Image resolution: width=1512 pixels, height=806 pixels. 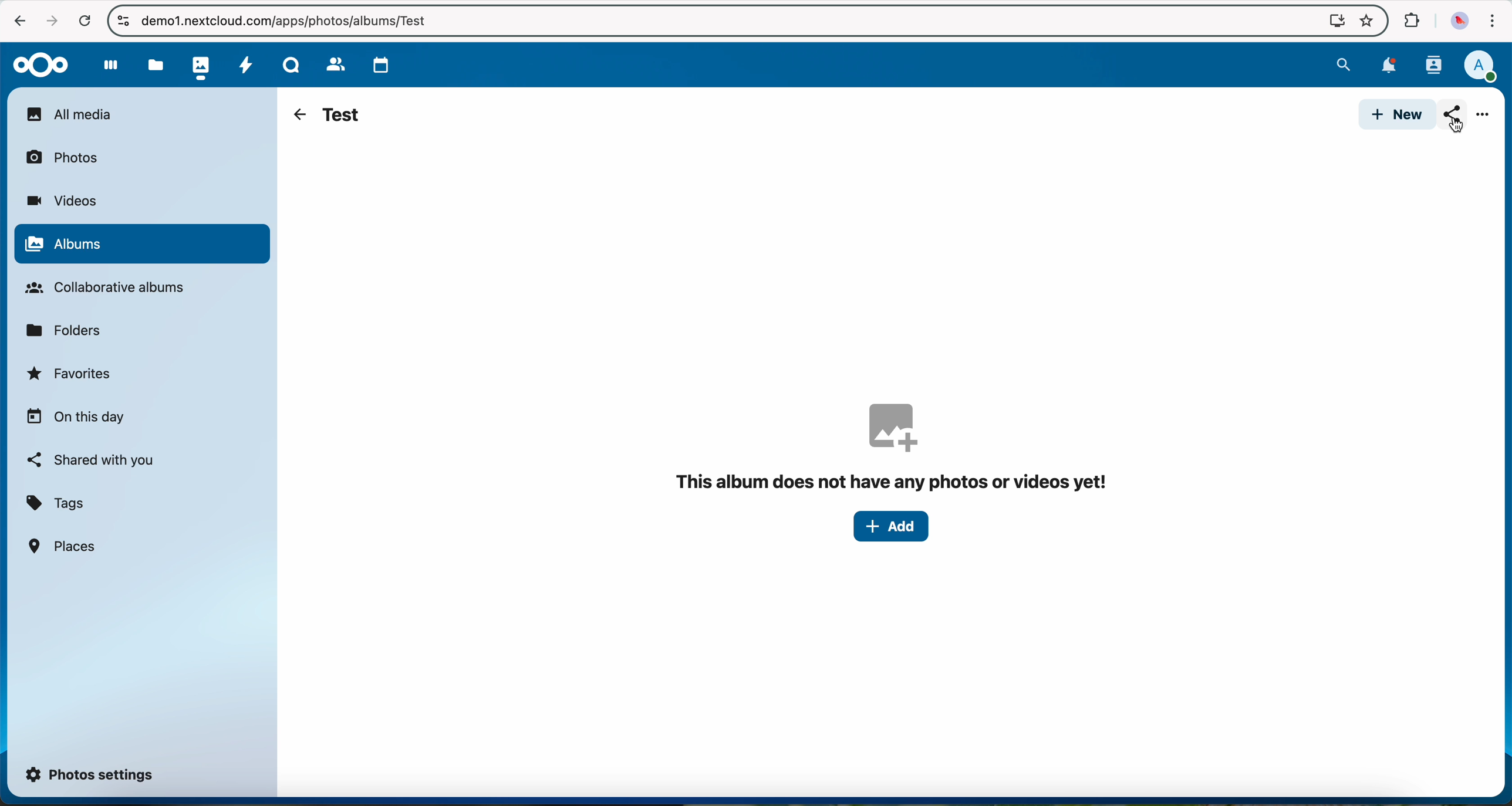 I want to click on customize and control Google Chrome, so click(x=1491, y=23).